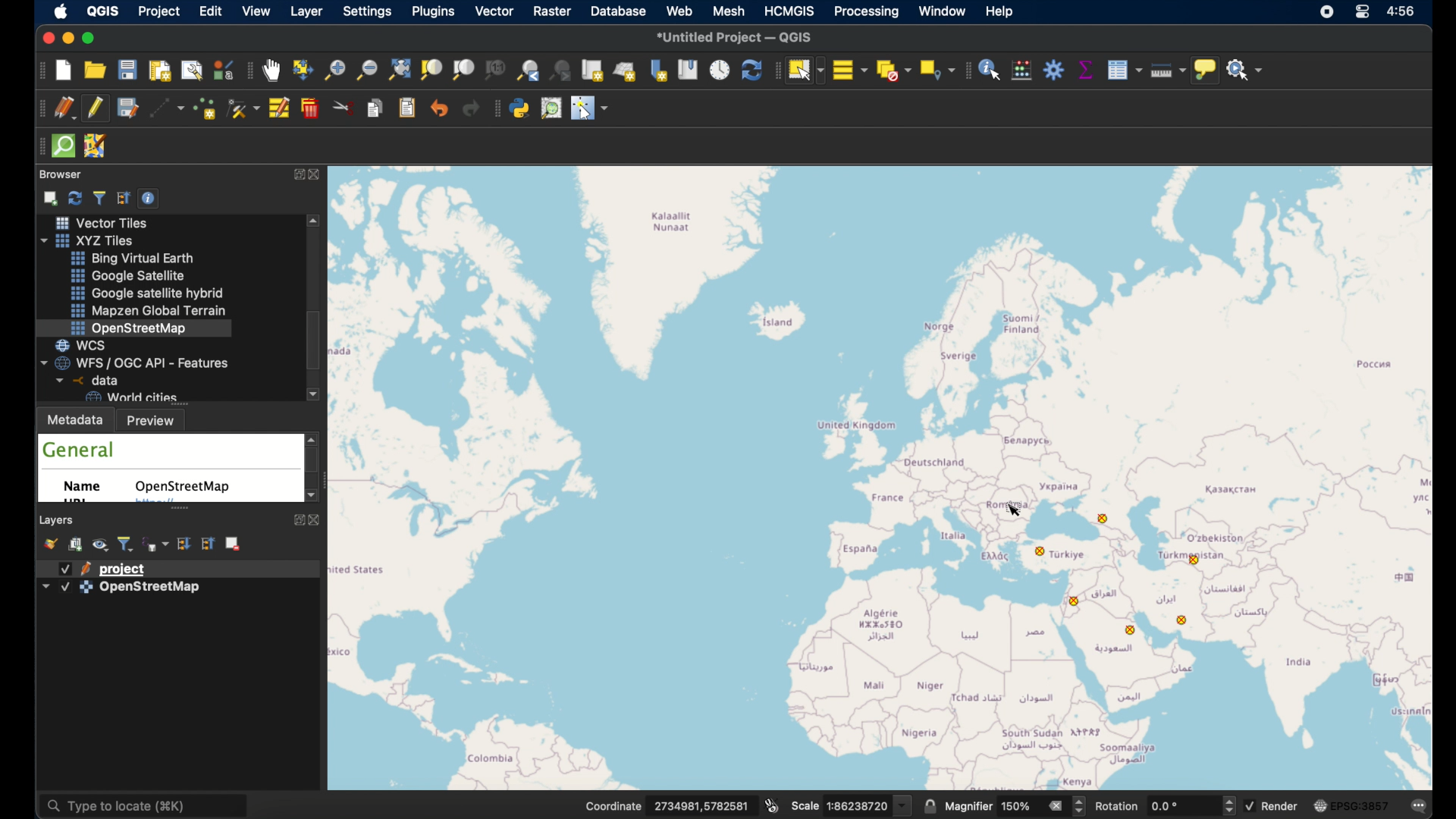  I want to click on toggle editing, so click(98, 108).